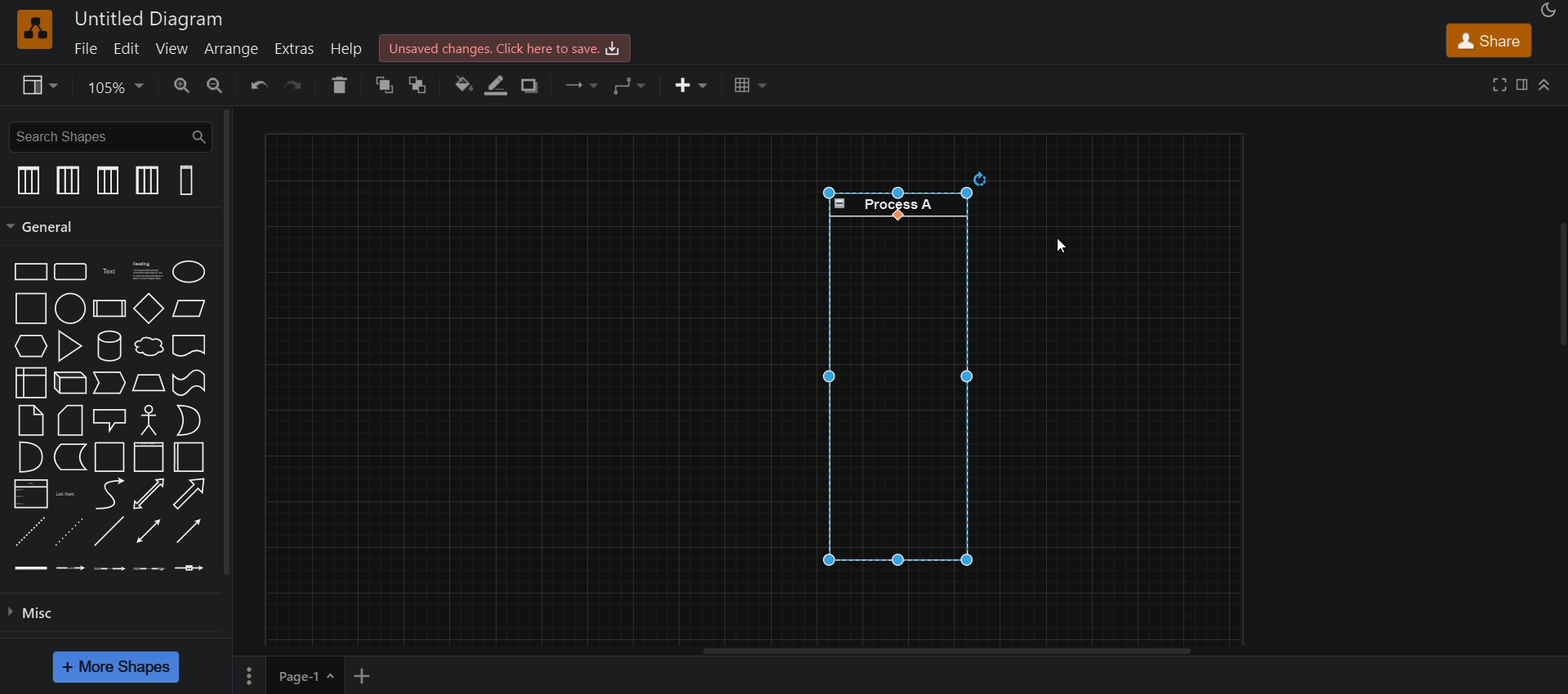  Describe the element at coordinates (145, 270) in the screenshot. I see `text with heading` at that location.